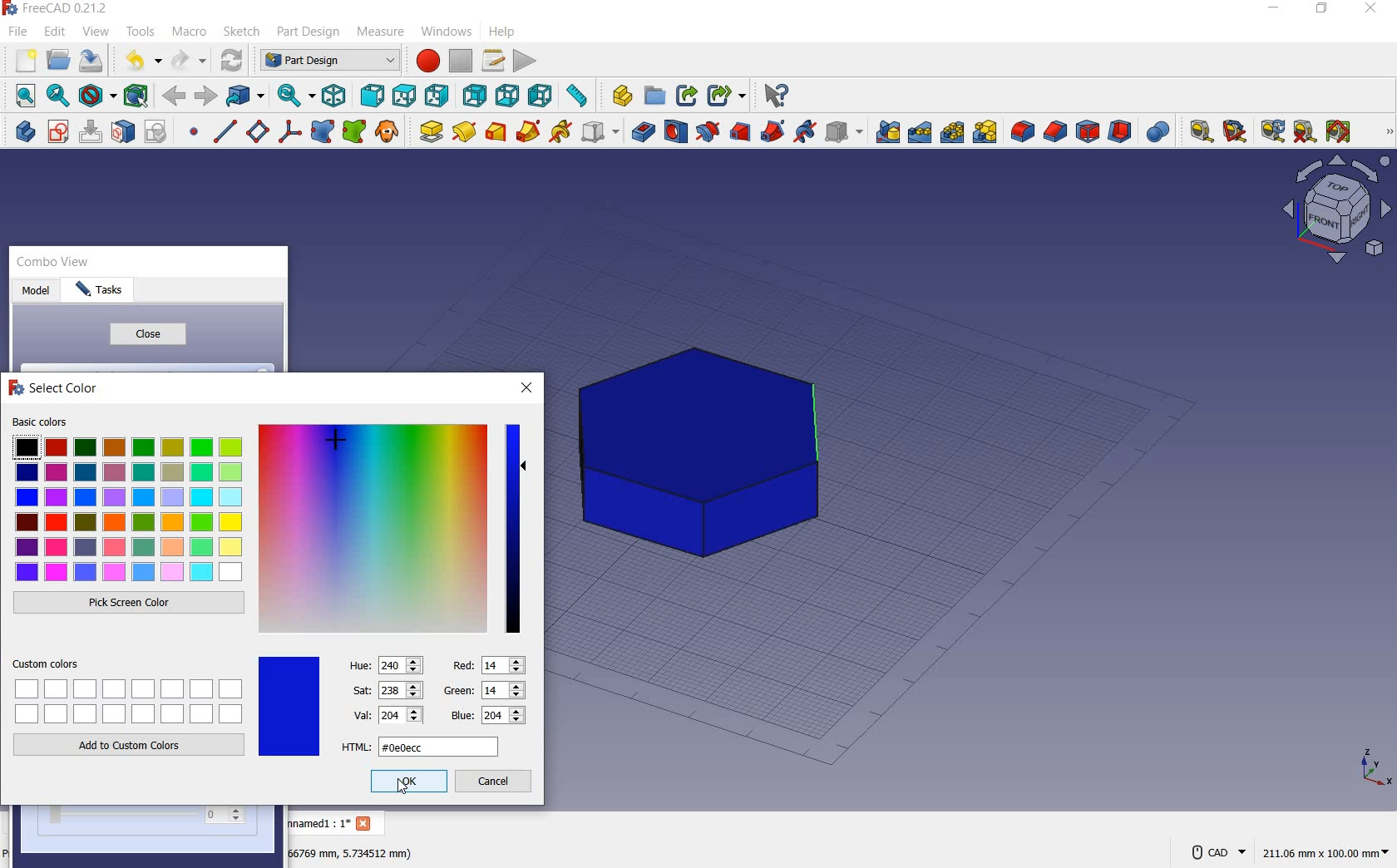 This screenshot has height=868, width=1397. Describe the element at coordinates (372, 530) in the screenshot. I see `customize color` at that location.